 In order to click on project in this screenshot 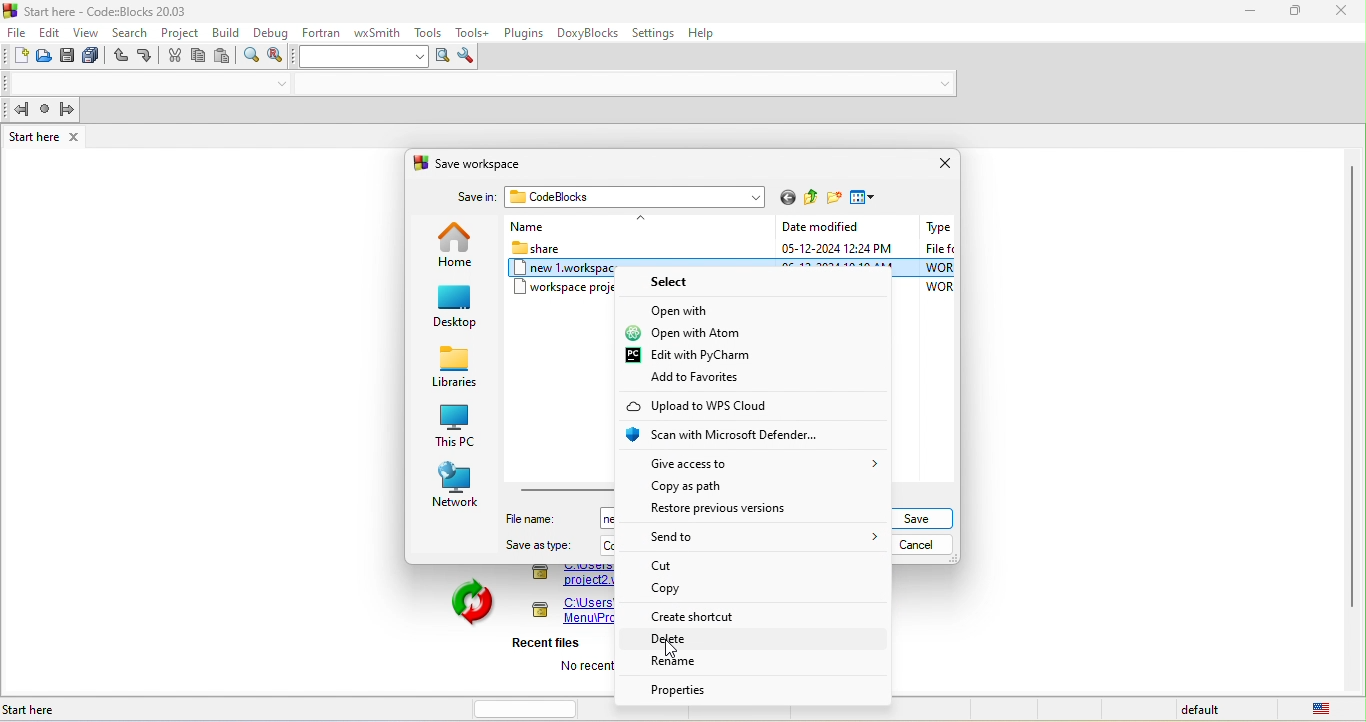, I will do `click(181, 31)`.